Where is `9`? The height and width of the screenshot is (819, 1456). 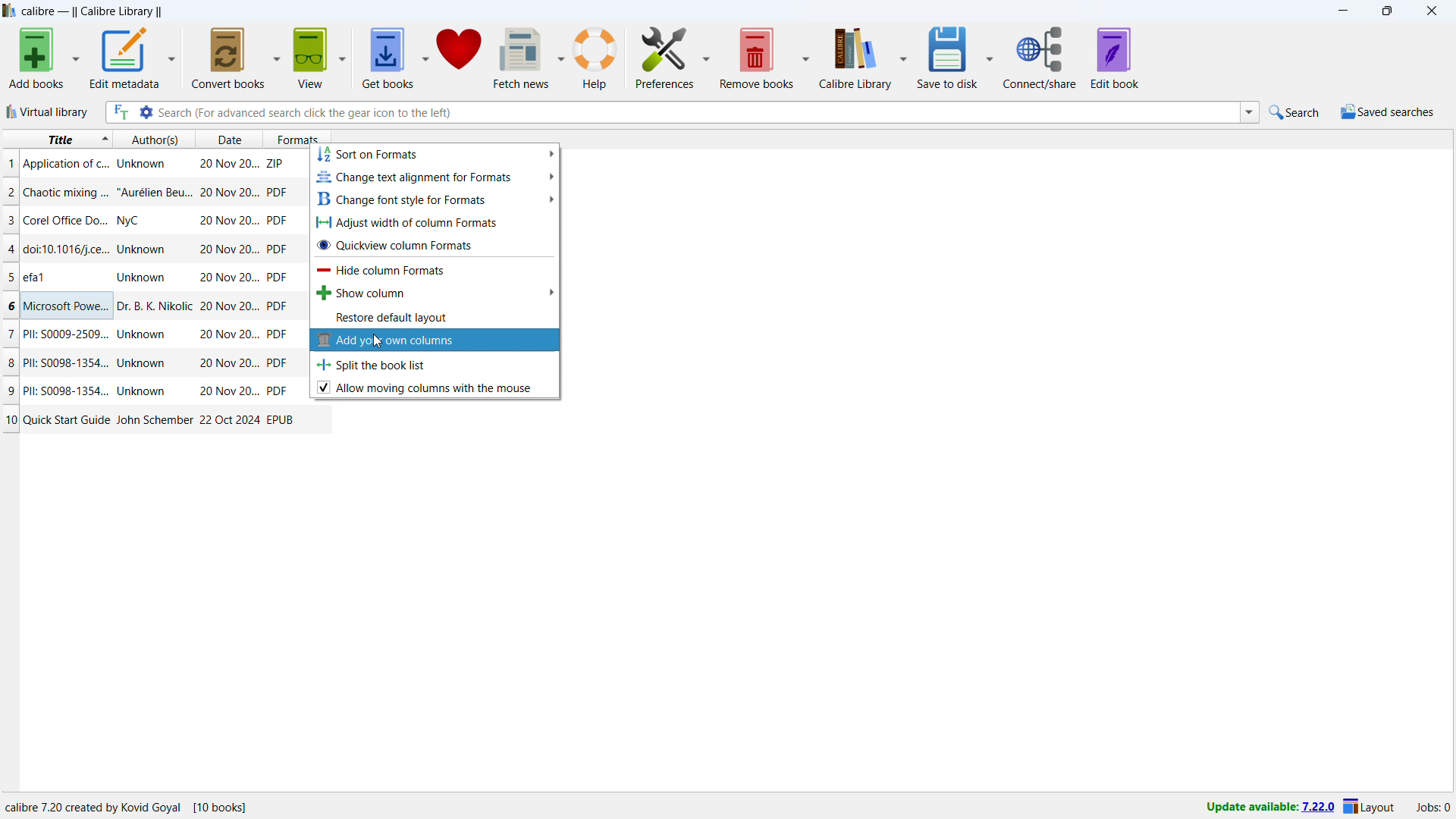 9 is located at coordinates (9, 390).